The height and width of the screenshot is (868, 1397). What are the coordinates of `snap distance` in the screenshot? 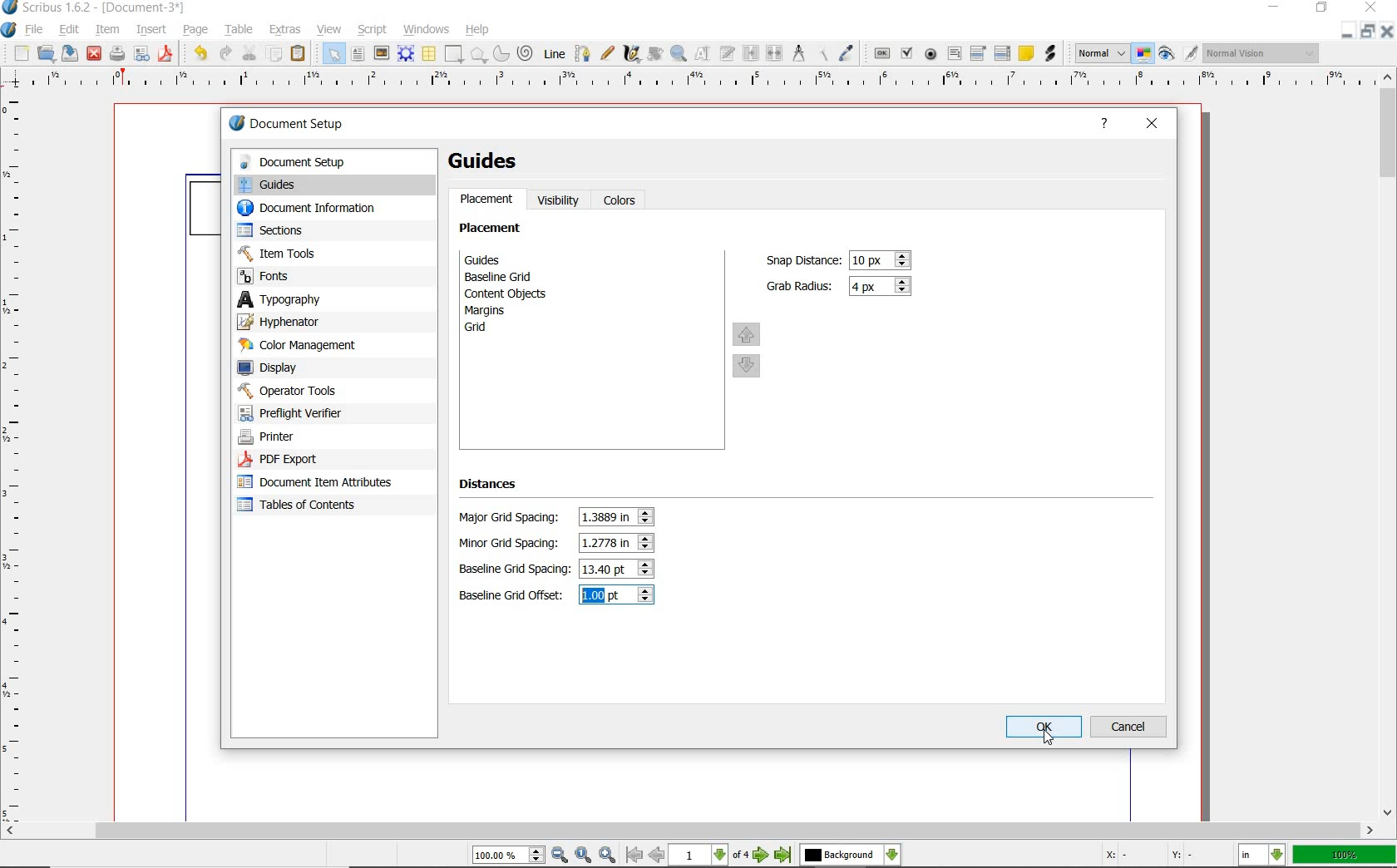 It's located at (881, 260).